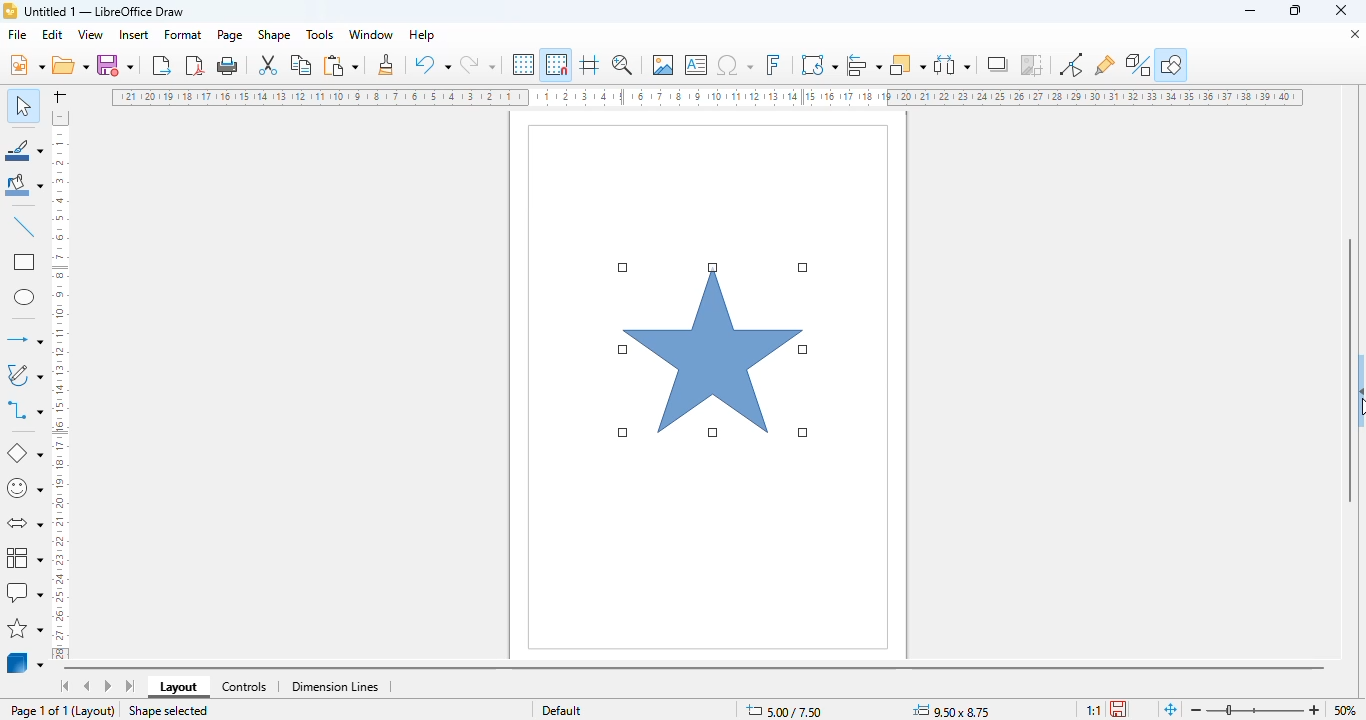 This screenshot has width=1366, height=720. What do you see at coordinates (64, 686) in the screenshot?
I see `scroll to first sheet` at bounding box center [64, 686].